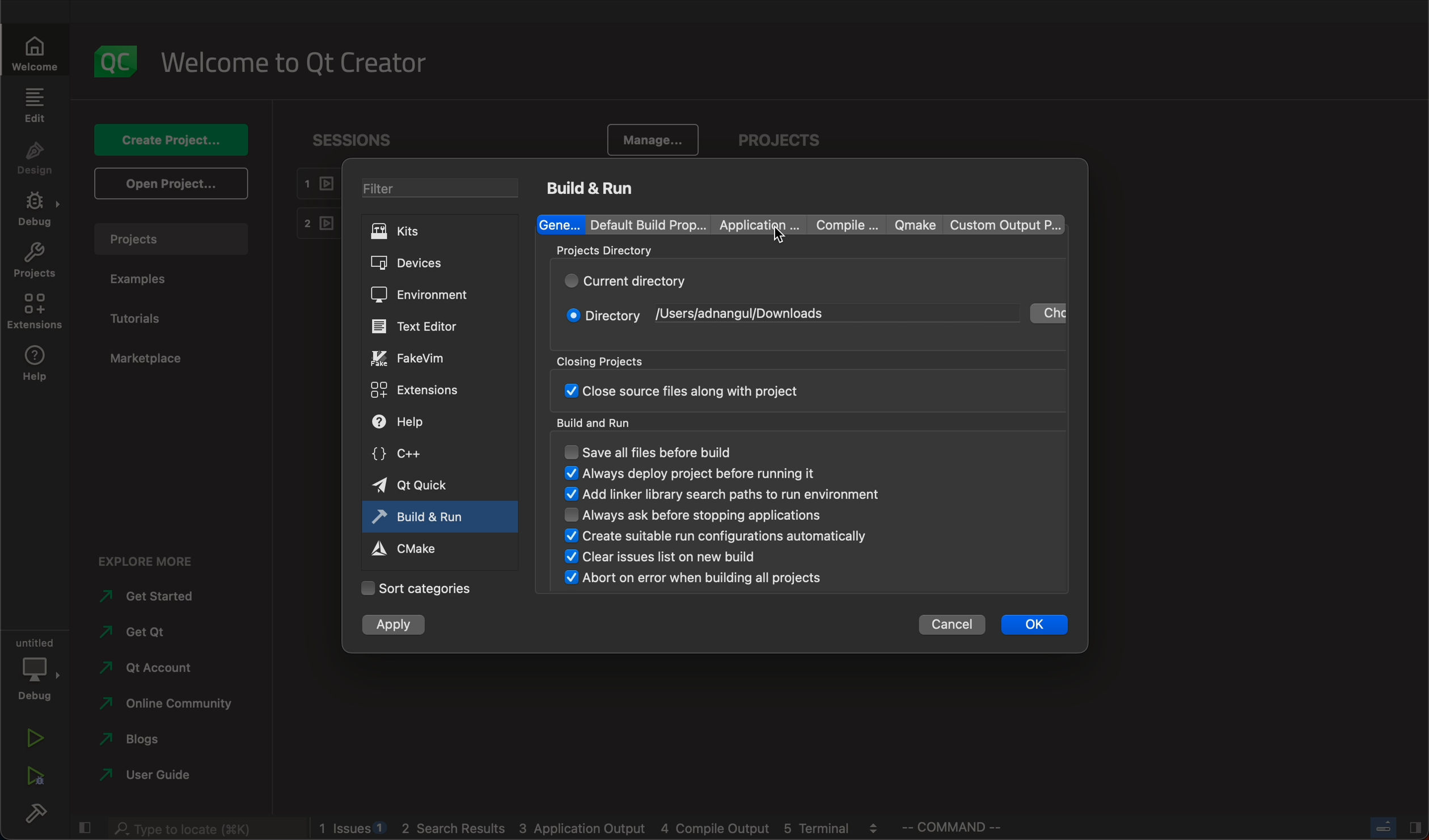 Image resolution: width=1429 pixels, height=840 pixels. Describe the element at coordinates (721, 536) in the screenshot. I see `' Create suitable run configurations automatically` at that location.